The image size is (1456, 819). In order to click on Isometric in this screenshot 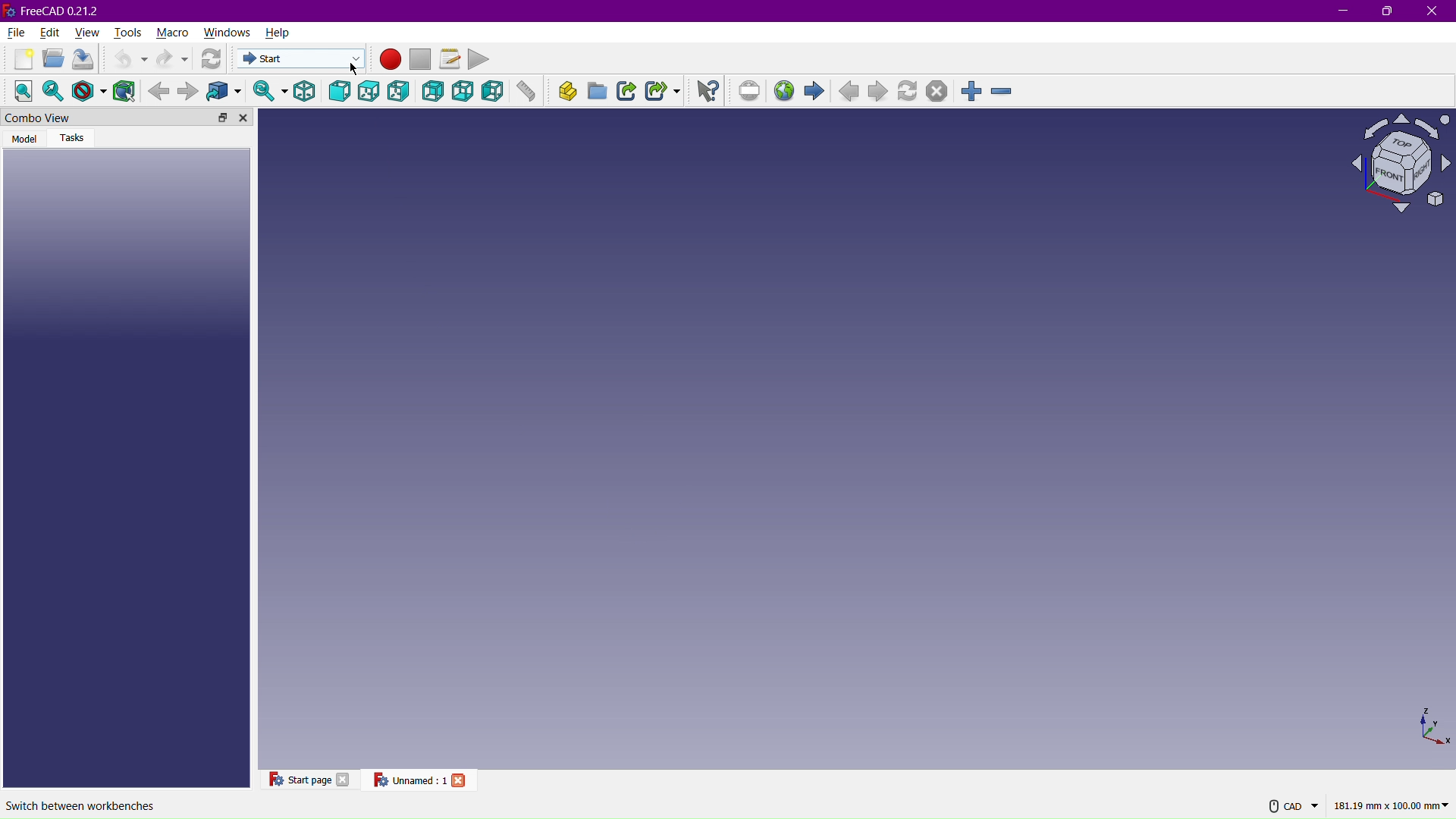, I will do `click(305, 89)`.